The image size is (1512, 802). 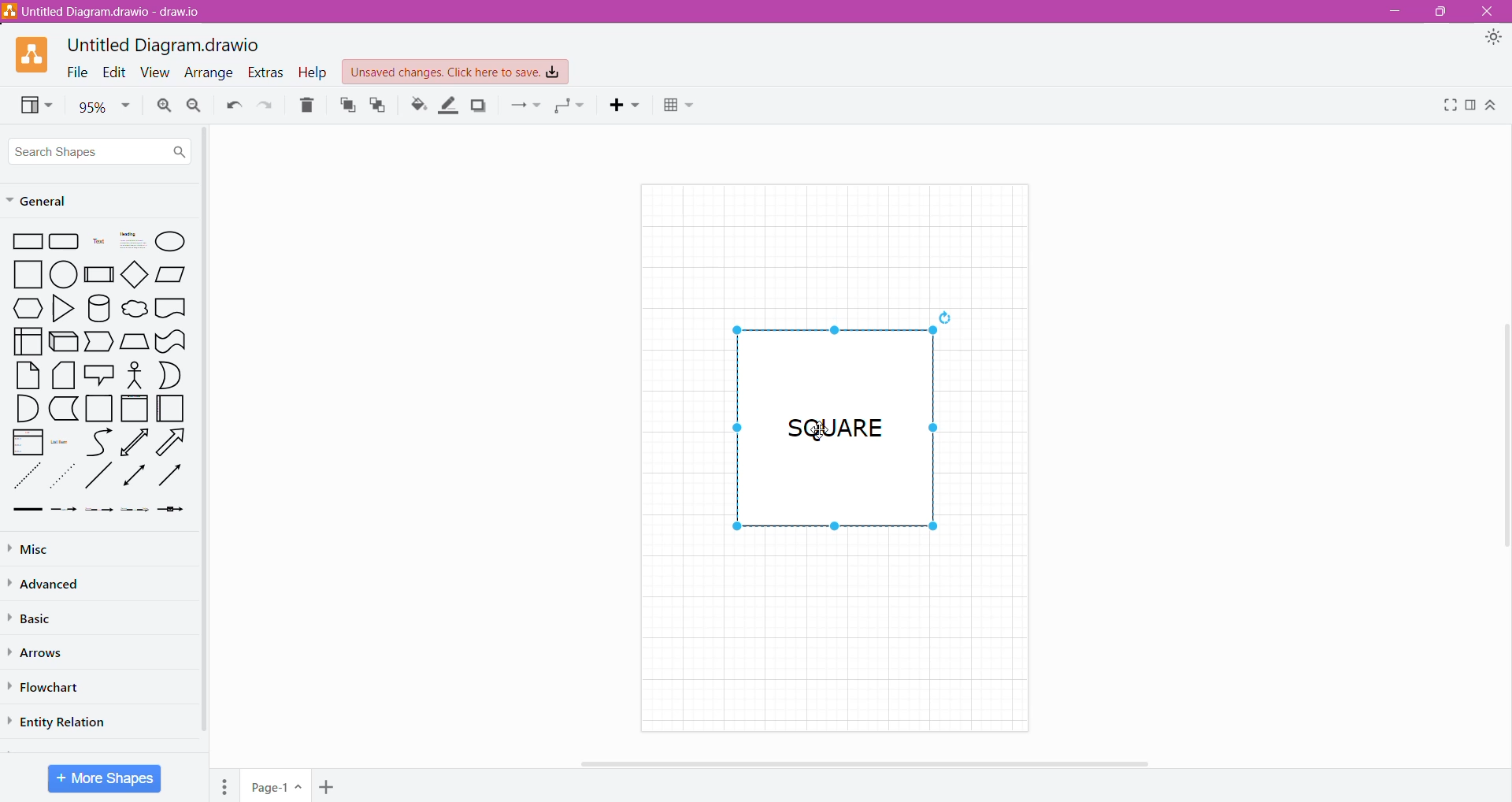 I want to click on Fullscreen, so click(x=1451, y=108).